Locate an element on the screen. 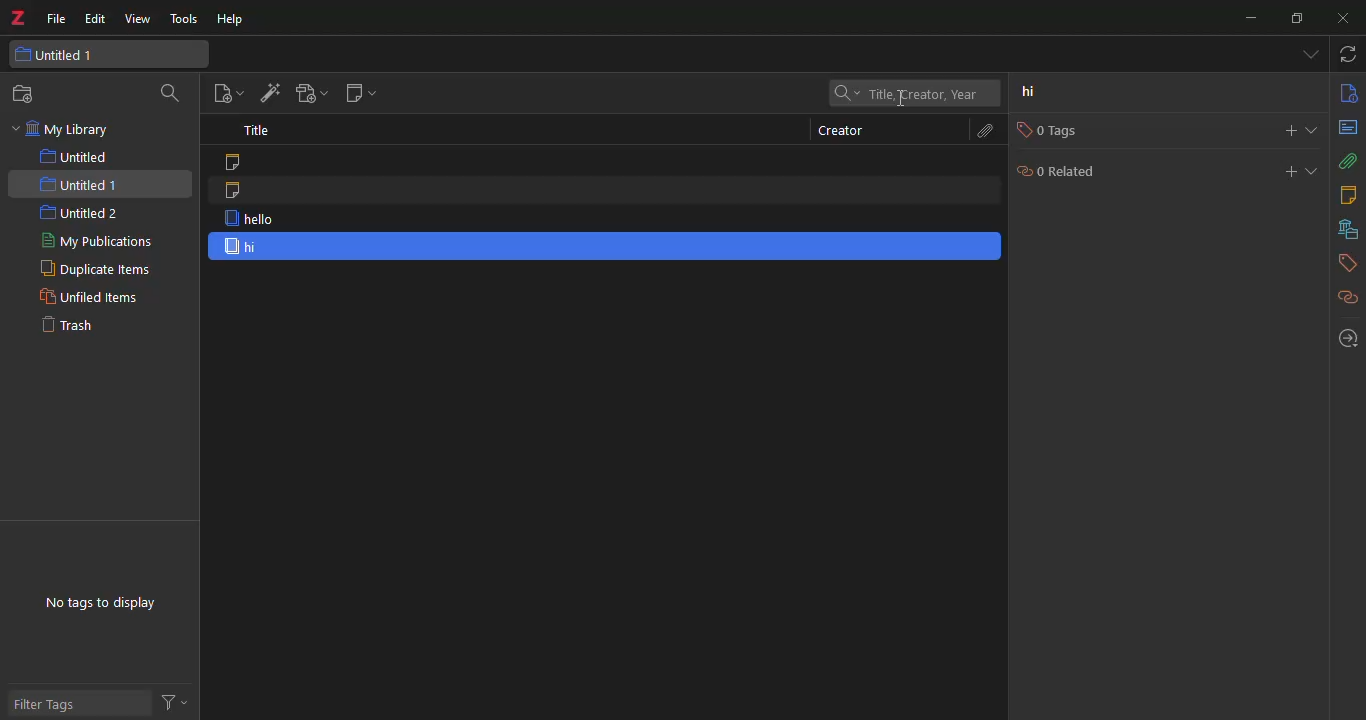 The height and width of the screenshot is (720, 1366). help is located at coordinates (232, 18).